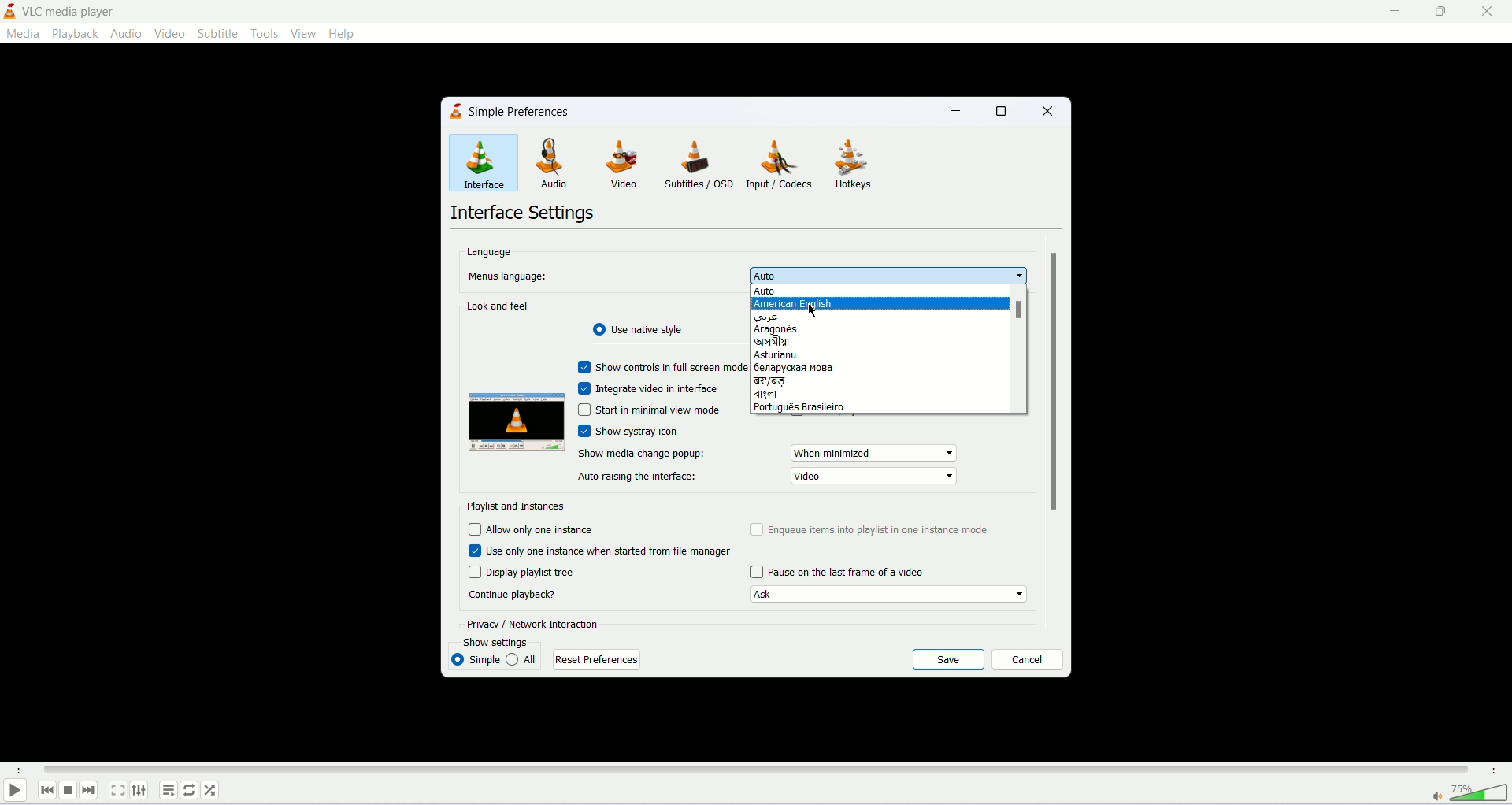 The image size is (1512, 805). Describe the element at coordinates (517, 506) in the screenshot. I see `playlist and instances` at that location.